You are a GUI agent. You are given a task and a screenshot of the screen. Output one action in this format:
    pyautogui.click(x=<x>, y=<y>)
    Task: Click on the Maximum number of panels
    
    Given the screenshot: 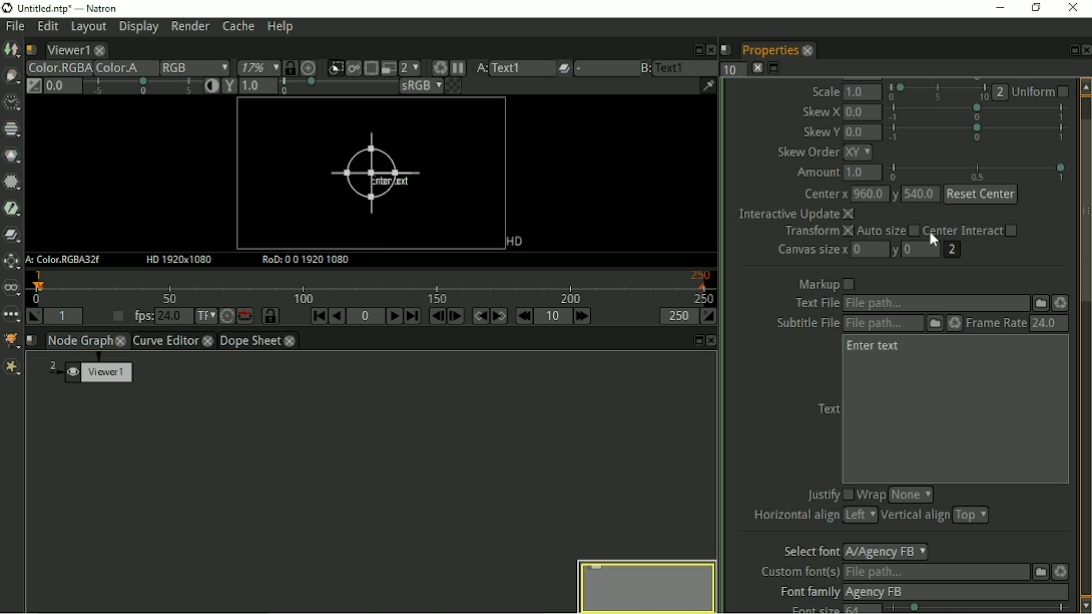 What is the action you would take?
    pyautogui.click(x=733, y=69)
    